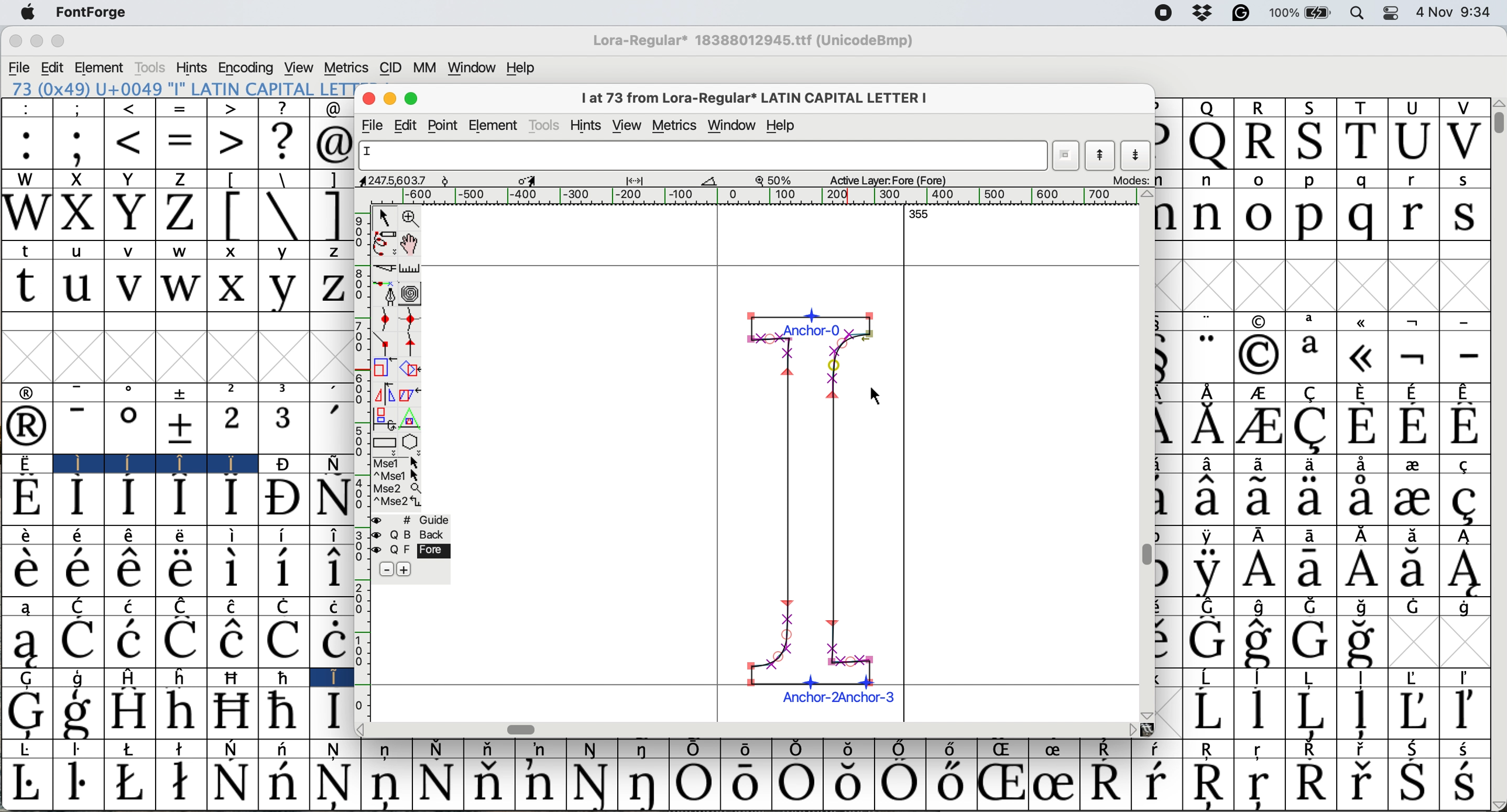  I want to click on Symbol, so click(1414, 569).